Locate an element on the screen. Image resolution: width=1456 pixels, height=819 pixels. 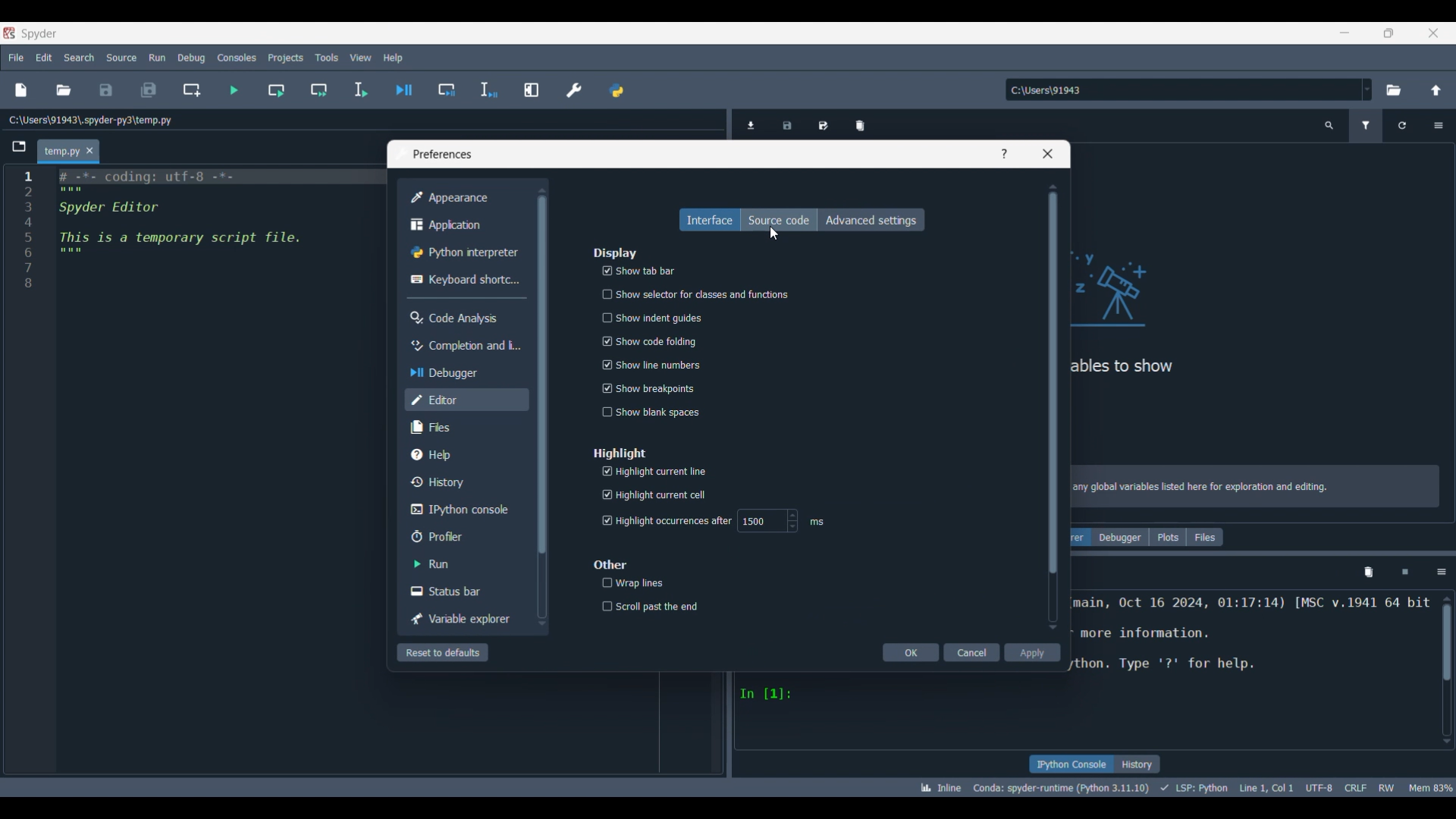
Debug cell is located at coordinates (447, 89).